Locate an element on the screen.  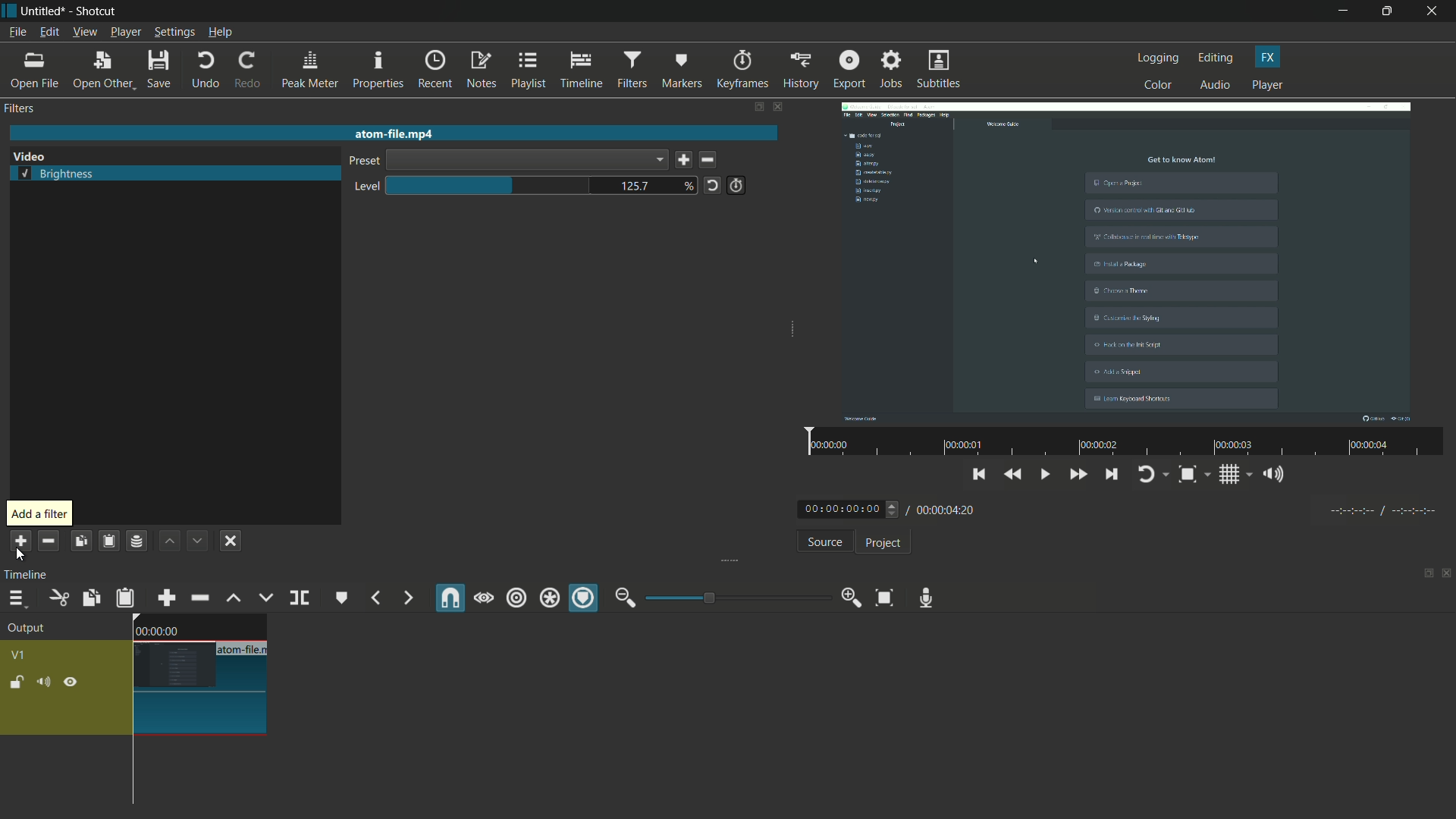
video time is located at coordinates (1122, 443).